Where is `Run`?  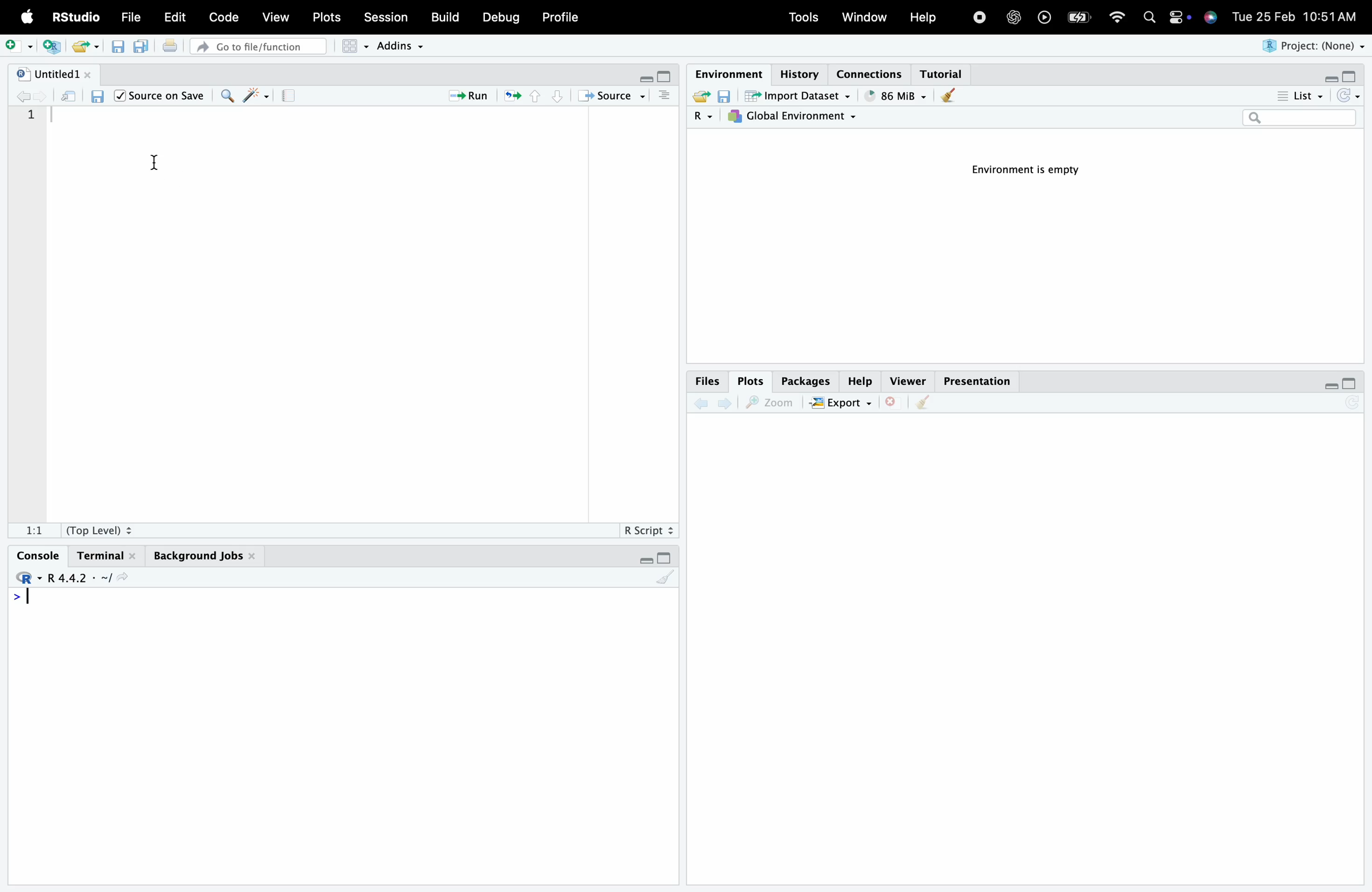
Run is located at coordinates (469, 96).